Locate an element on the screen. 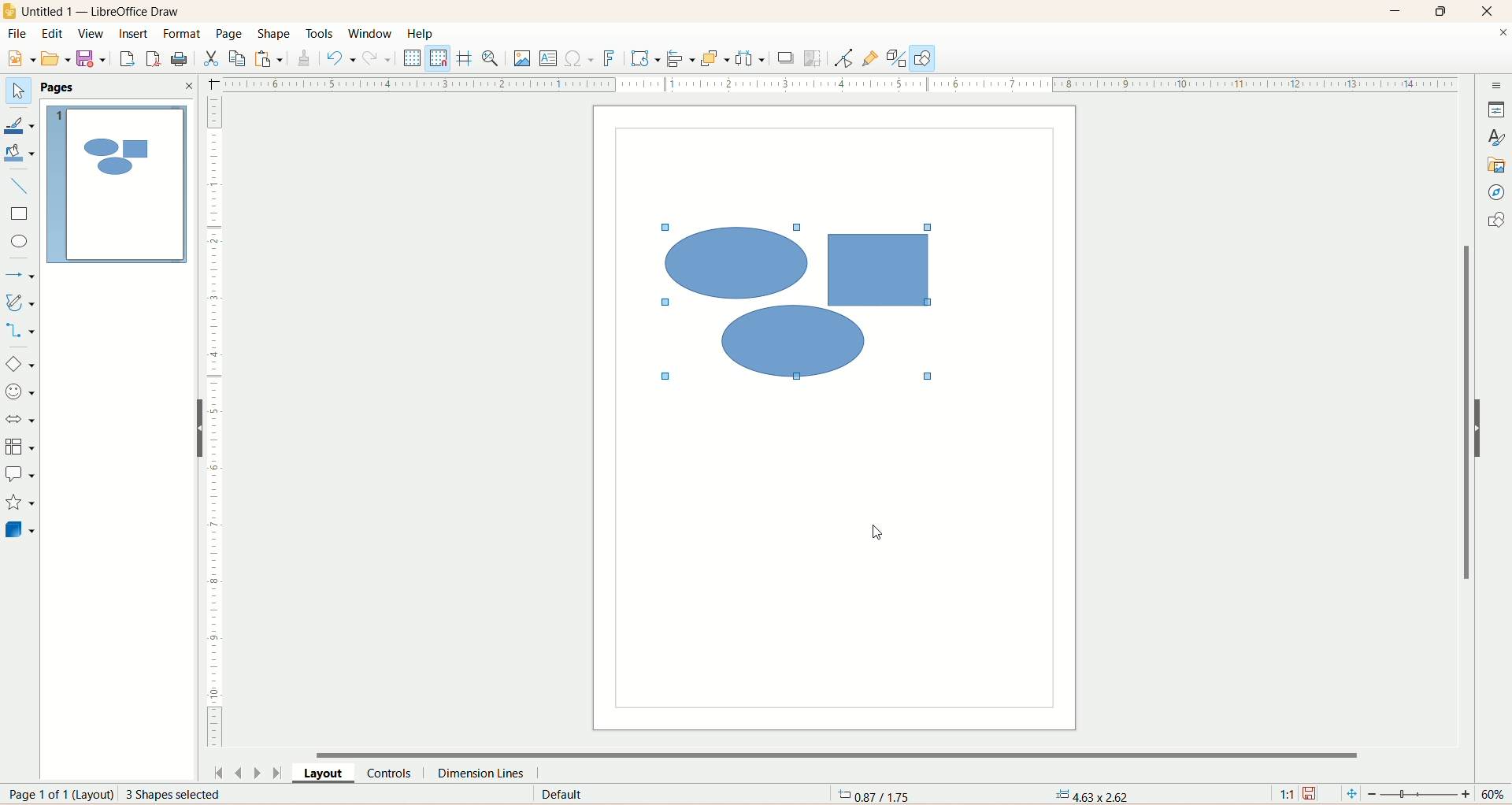 Image resolution: width=1512 pixels, height=805 pixels. sidebar settings is located at coordinates (1495, 86).